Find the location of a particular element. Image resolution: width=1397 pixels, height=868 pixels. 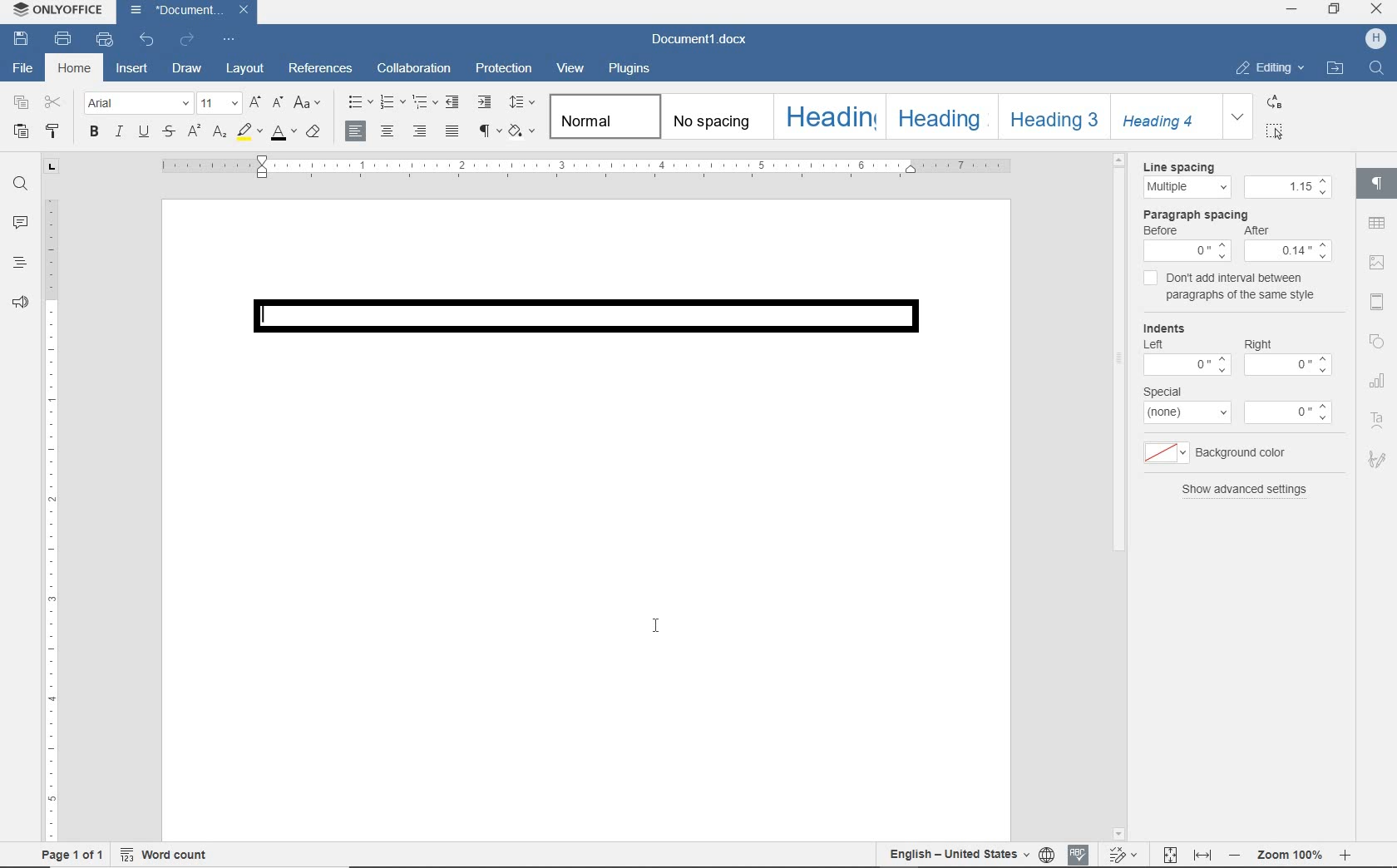

heading2 is located at coordinates (939, 119).